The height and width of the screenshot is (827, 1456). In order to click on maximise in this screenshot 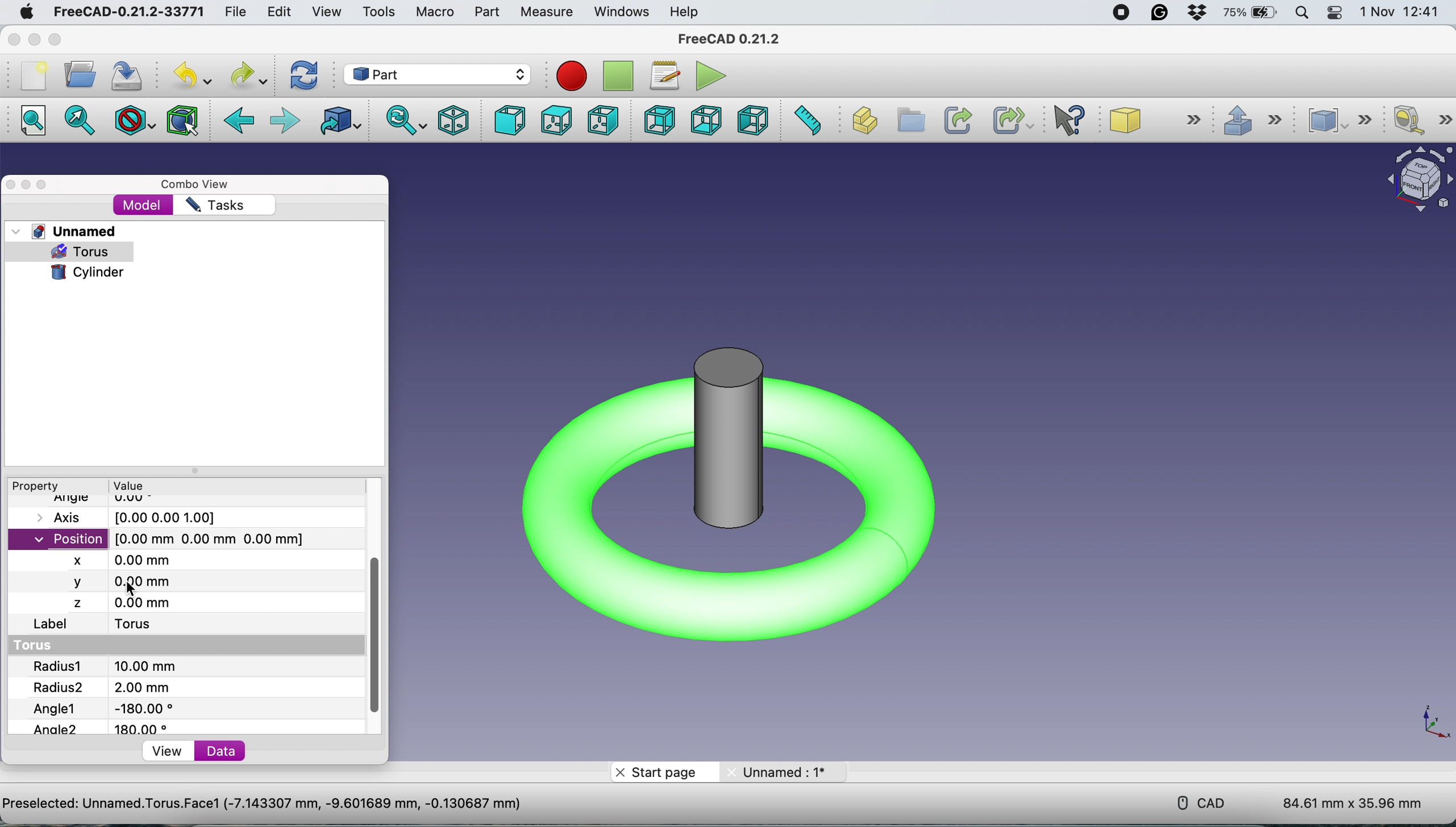, I will do `click(57, 41)`.